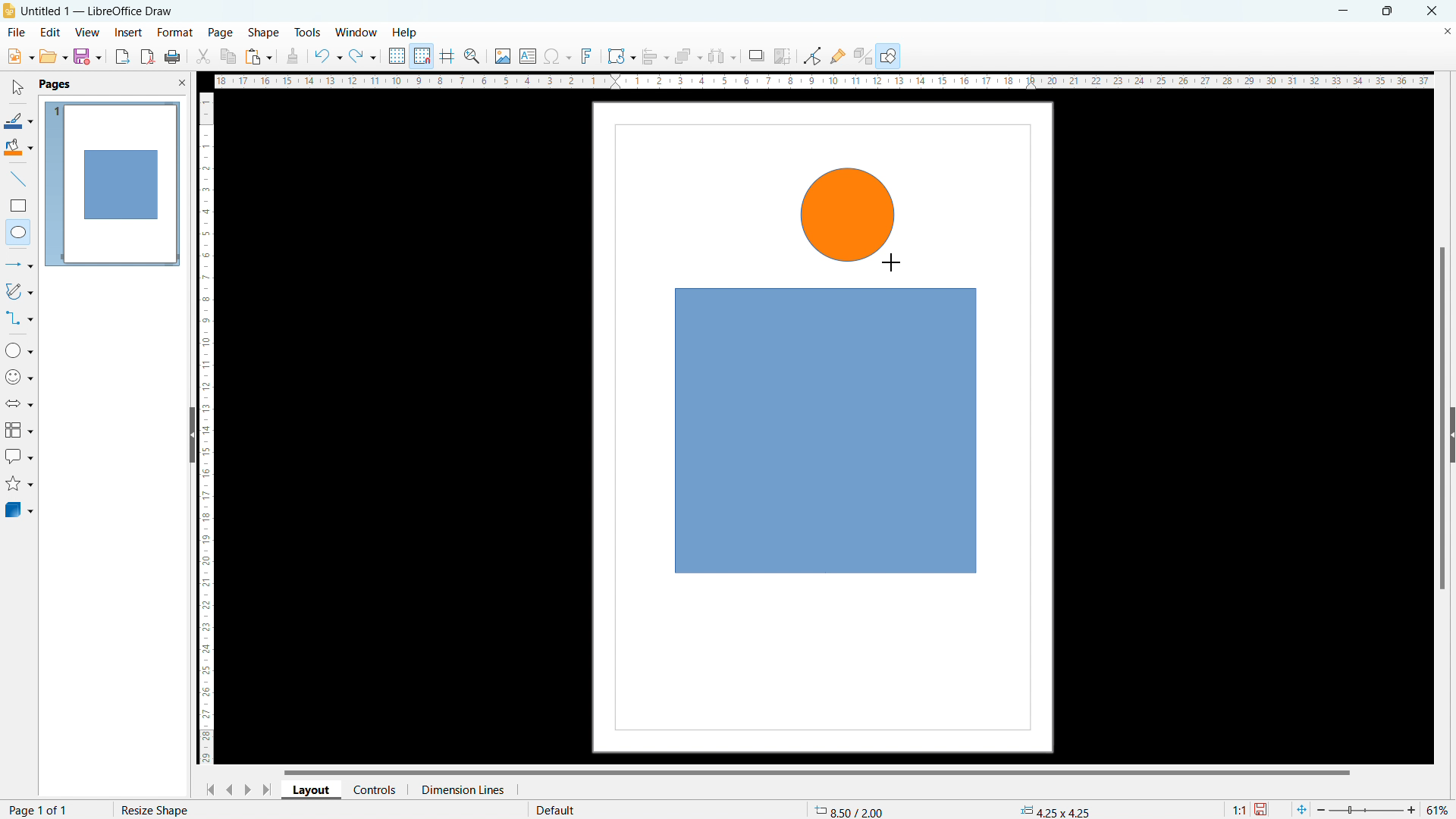 The width and height of the screenshot is (1456, 819). I want to click on display grid, so click(396, 56).